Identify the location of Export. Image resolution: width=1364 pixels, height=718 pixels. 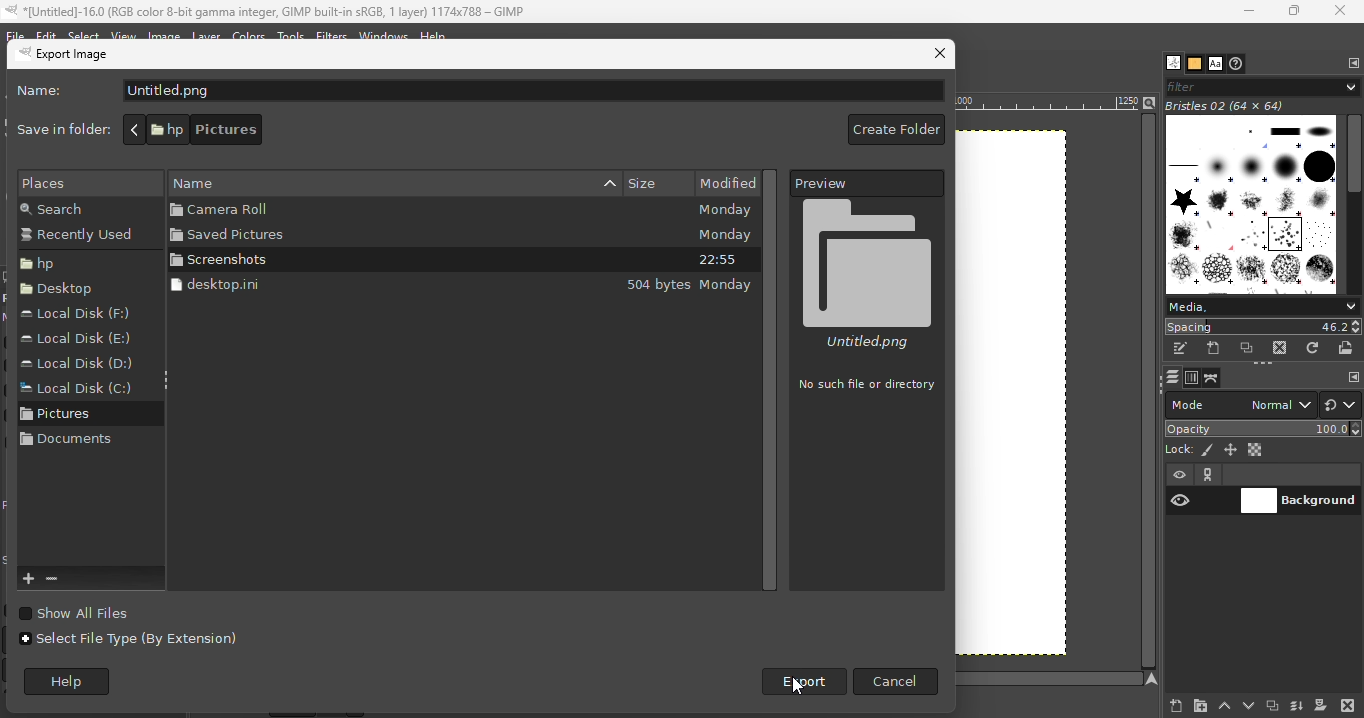
(798, 682).